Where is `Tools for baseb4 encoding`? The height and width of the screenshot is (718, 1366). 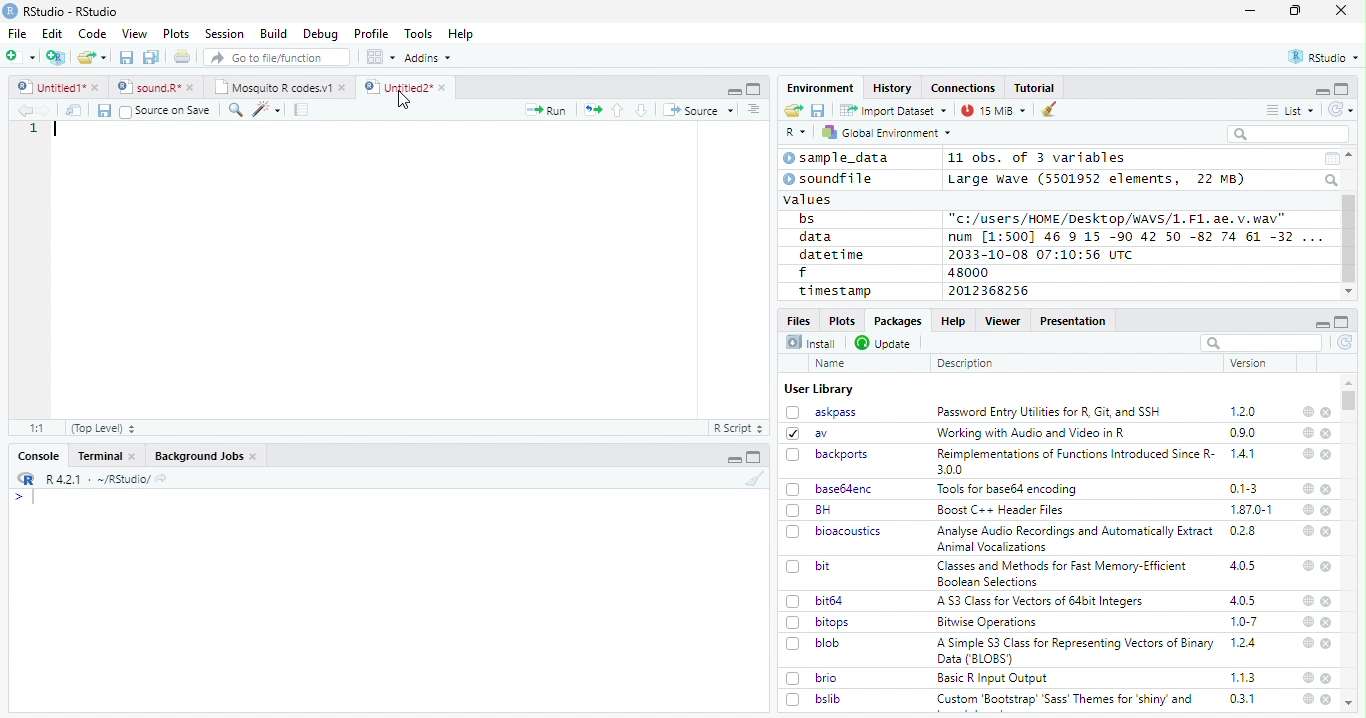
Tools for baseb4 encoding is located at coordinates (1009, 489).